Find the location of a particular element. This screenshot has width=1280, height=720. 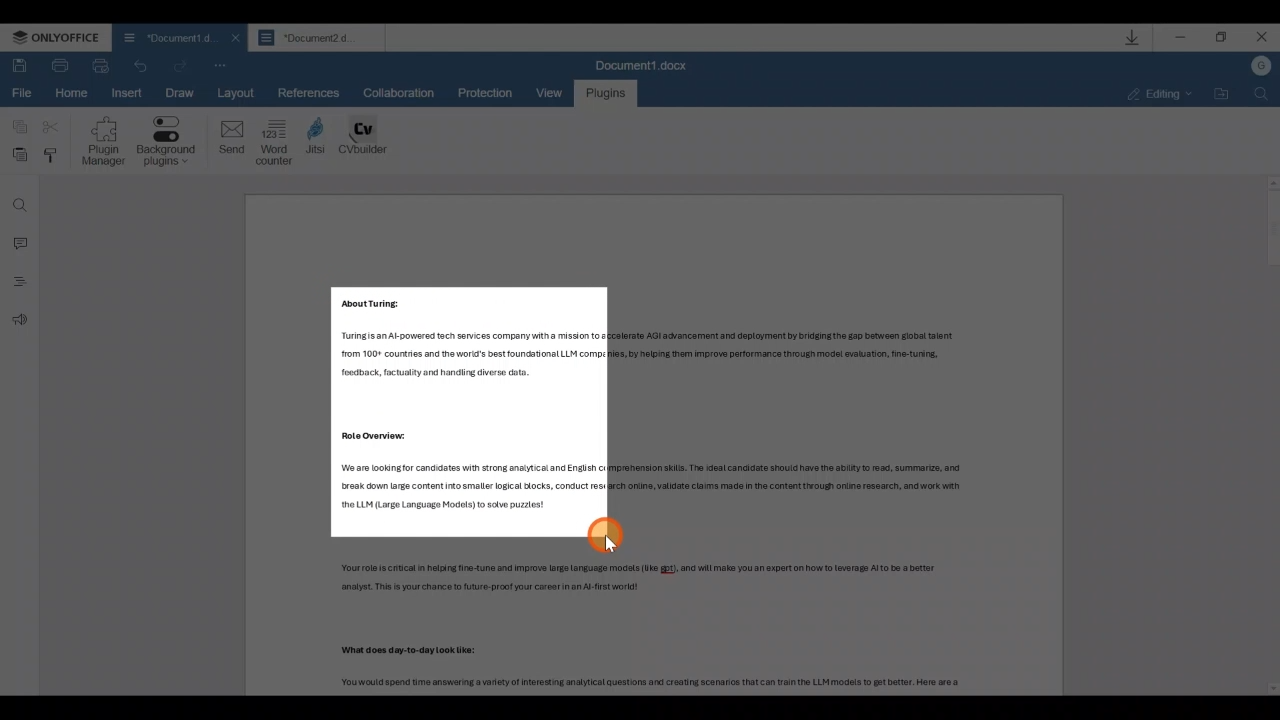

ONLYOFFICE is located at coordinates (58, 39).